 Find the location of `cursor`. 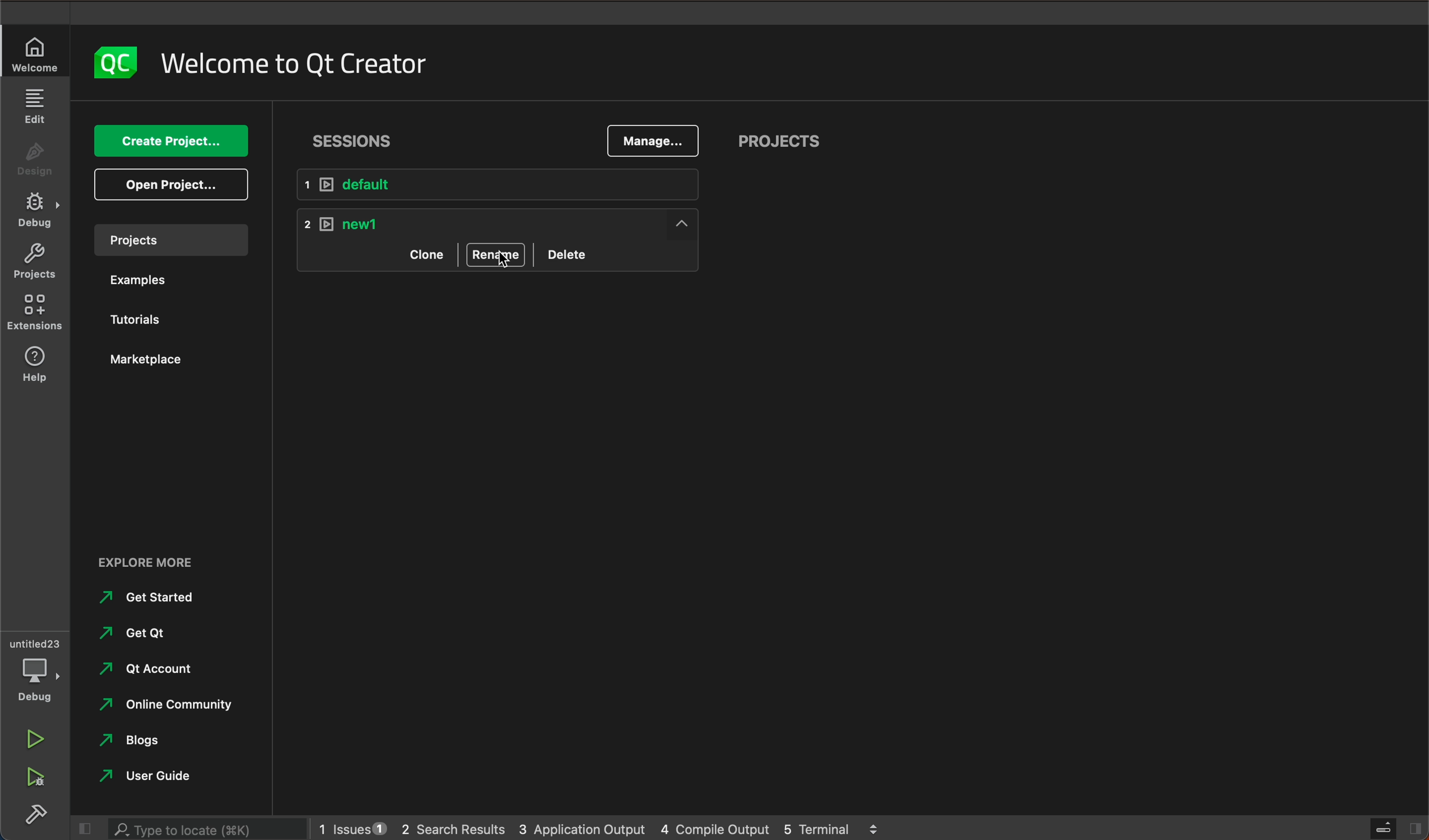

cursor is located at coordinates (506, 258).